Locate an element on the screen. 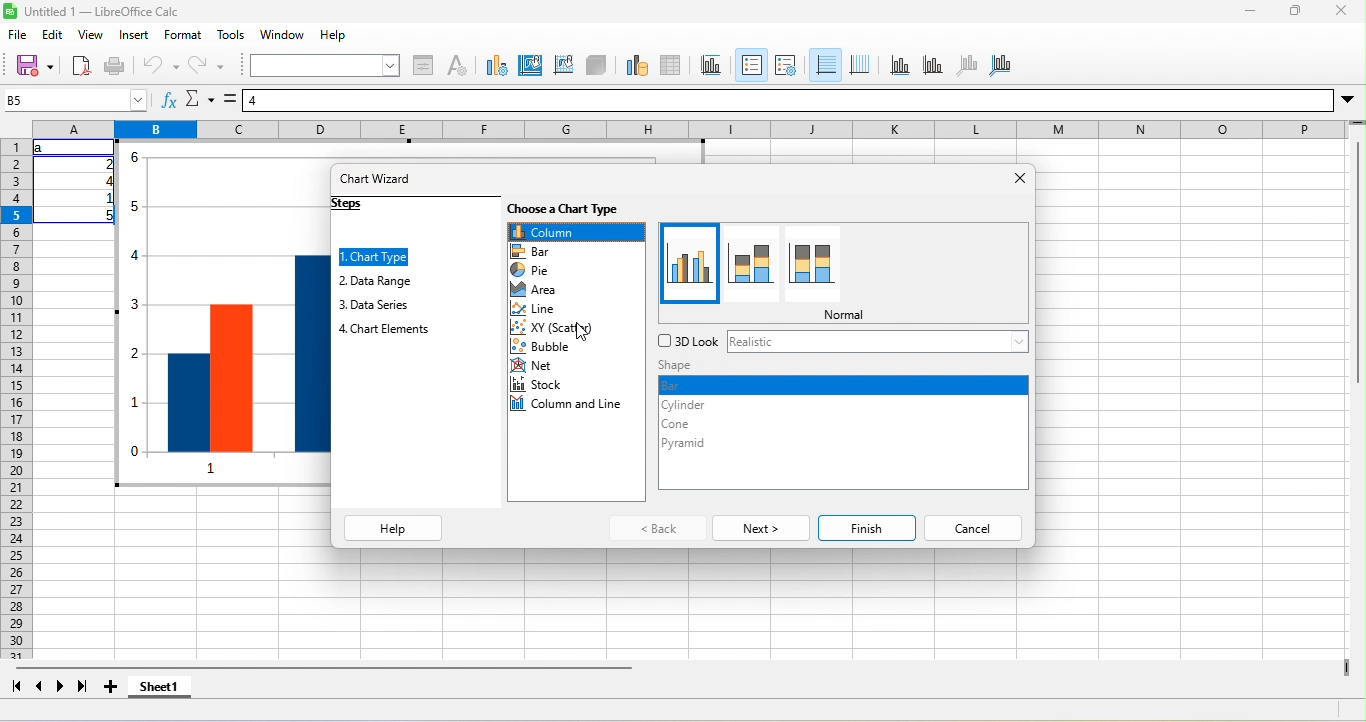  close is located at coordinates (1341, 10).